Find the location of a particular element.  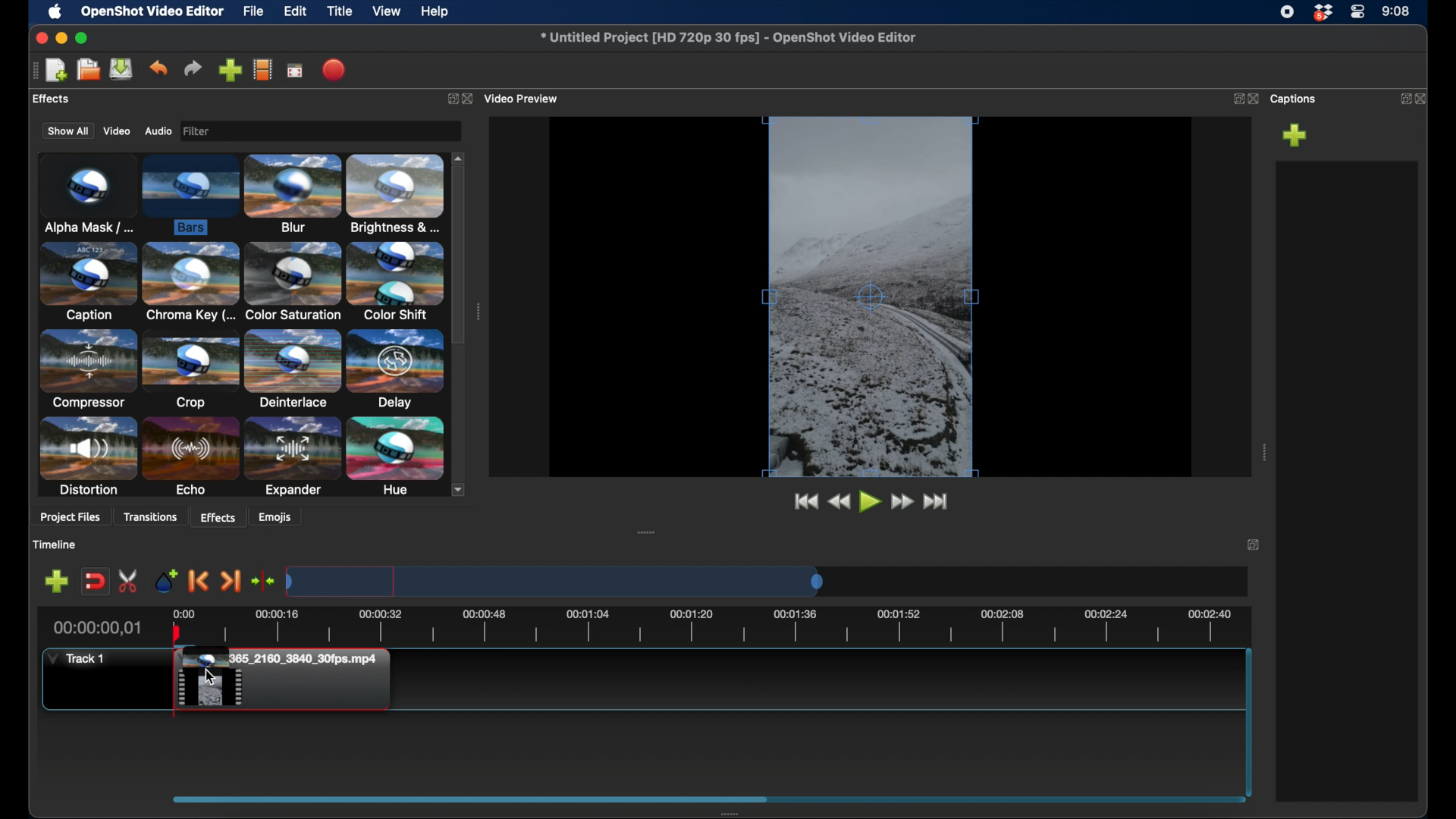

full screen is located at coordinates (295, 71).